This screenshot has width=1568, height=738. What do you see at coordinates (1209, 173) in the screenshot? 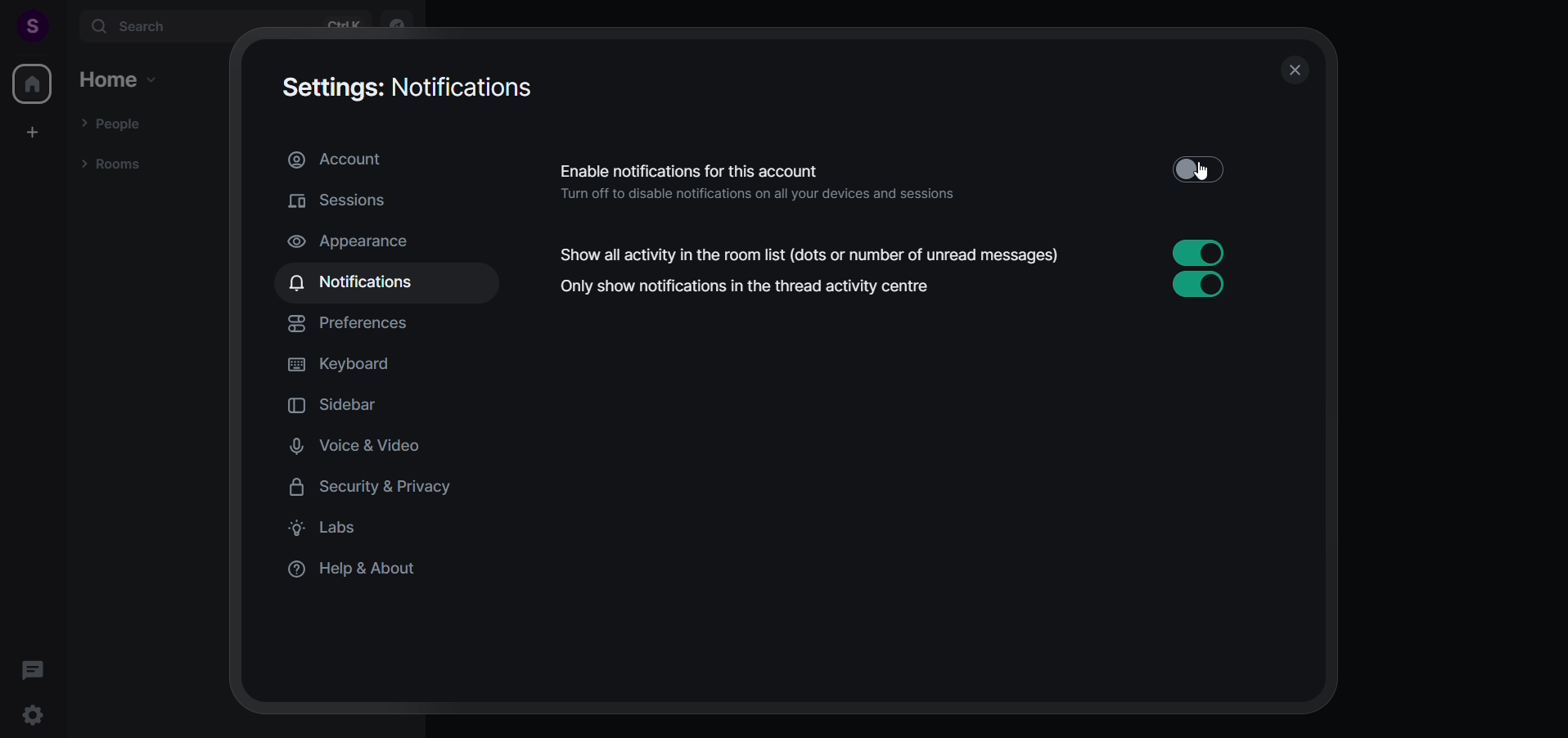
I see `Cursor` at bounding box center [1209, 173].